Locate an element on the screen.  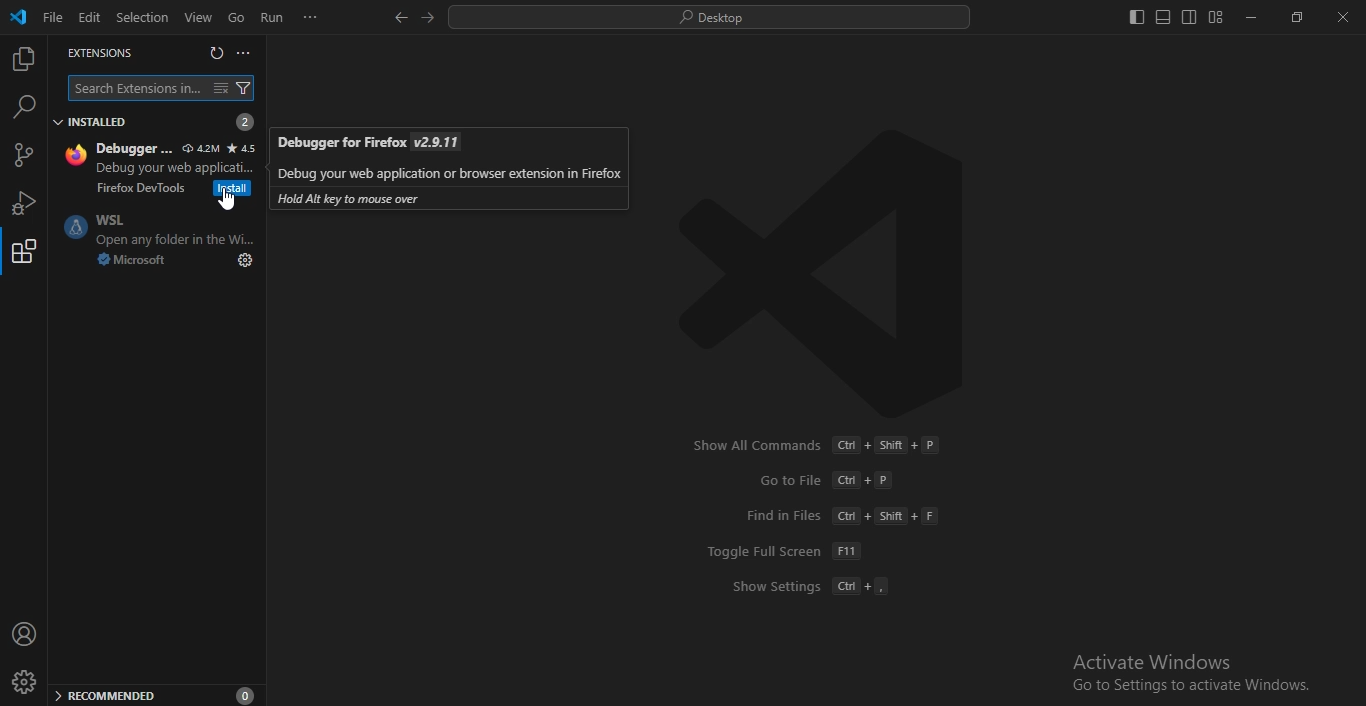
vscode icon is located at coordinates (18, 17).